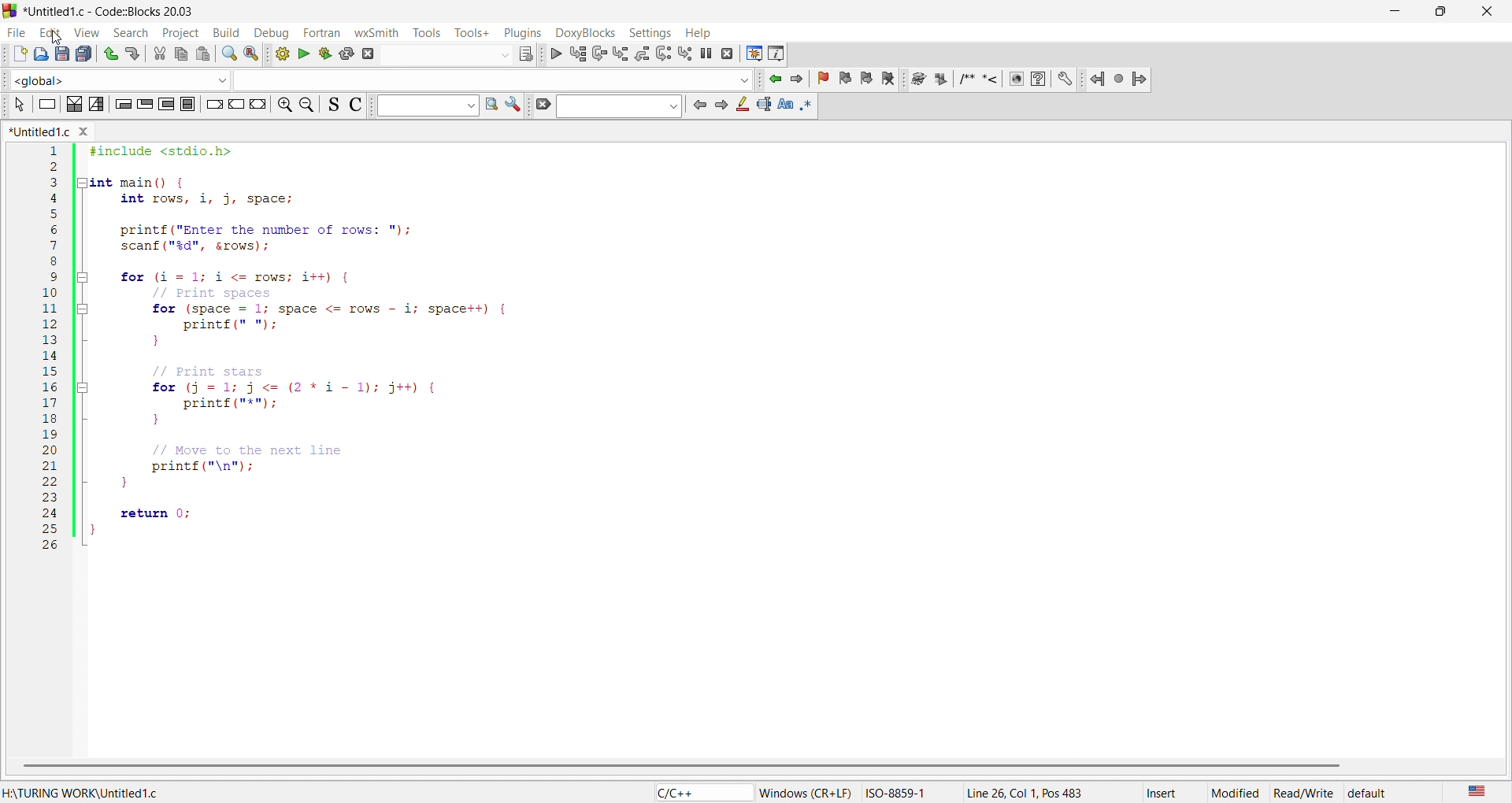  Describe the element at coordinates (118, 105) in the screenshot. I see `icon` at that location.